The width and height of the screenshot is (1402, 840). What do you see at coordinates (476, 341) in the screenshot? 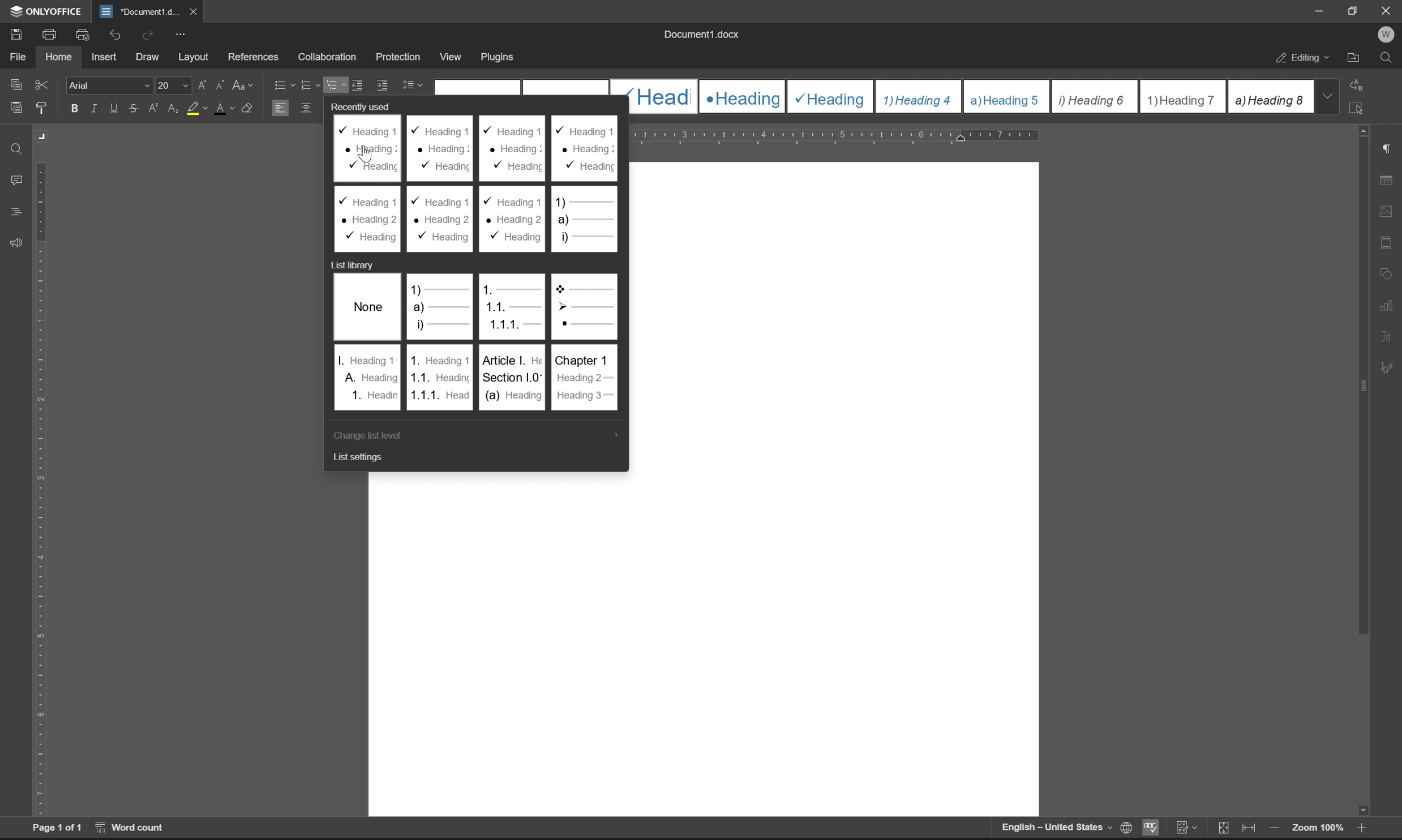
I see `list history` at bounding box center [476, 341].